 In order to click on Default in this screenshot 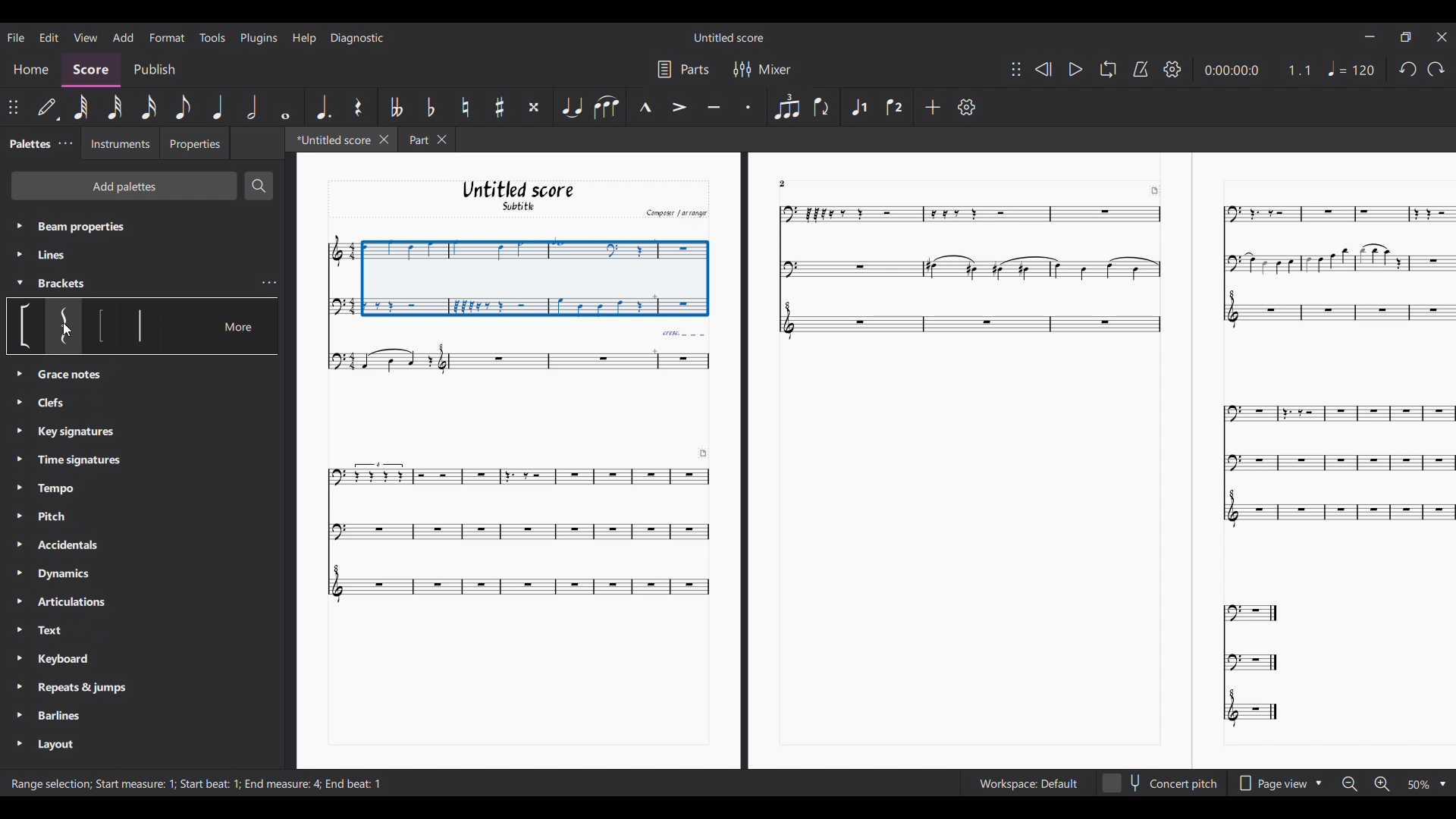, I will do `click(48, 109)`.